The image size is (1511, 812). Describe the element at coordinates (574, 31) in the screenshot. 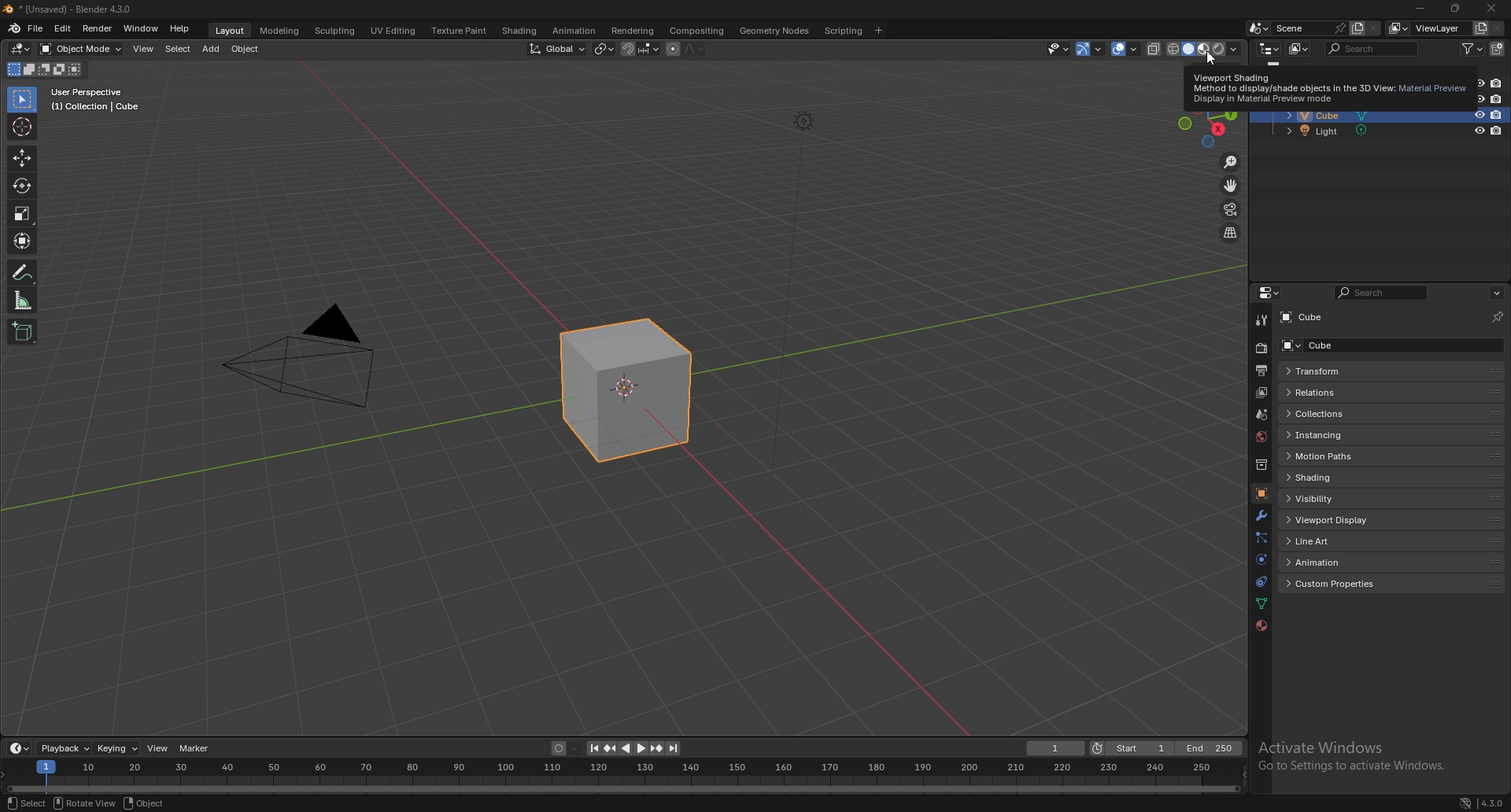

I see `animation` at that location.